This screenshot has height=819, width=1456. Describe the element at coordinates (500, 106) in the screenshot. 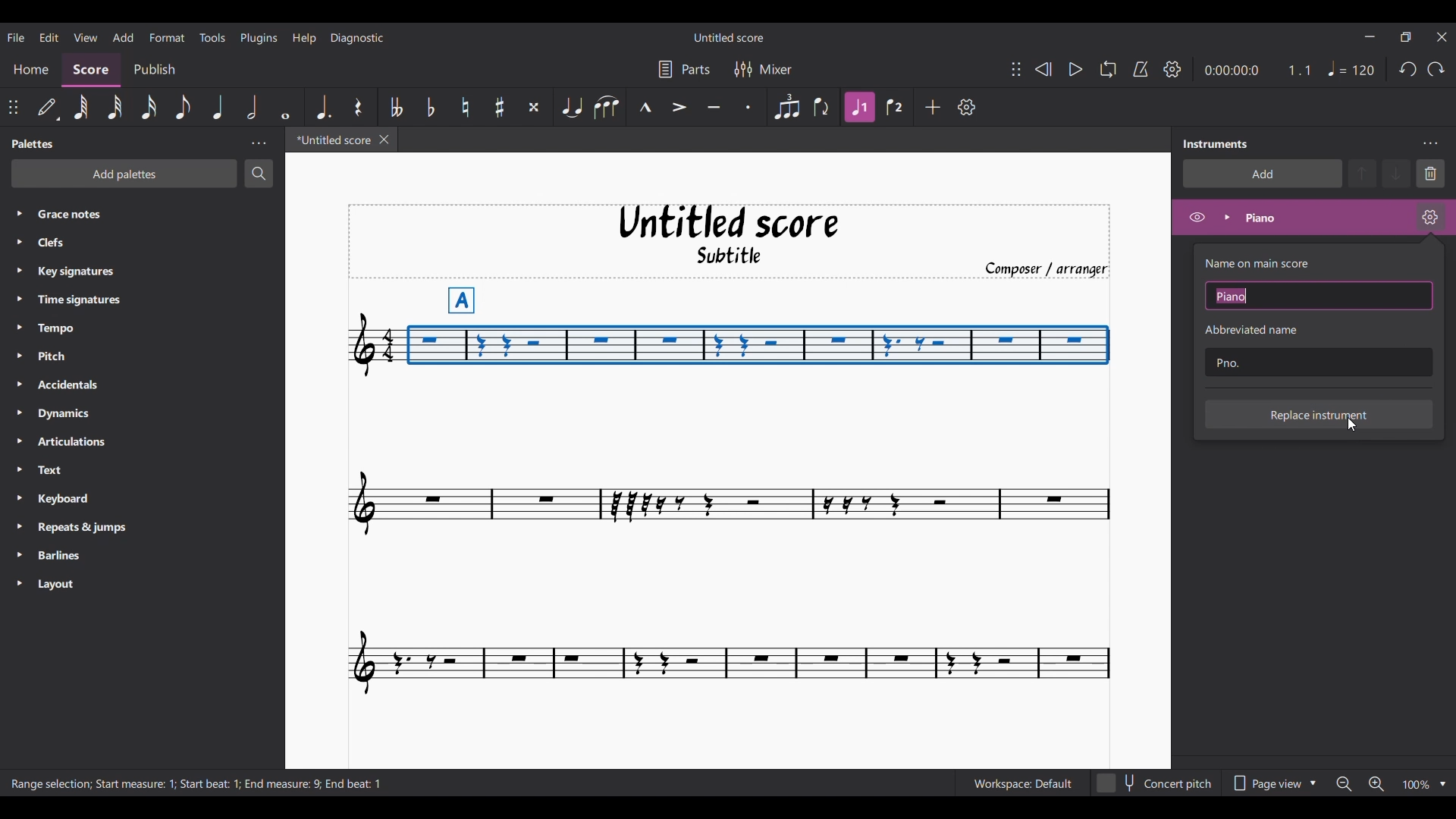

I see `Toggle sharp` at that location.